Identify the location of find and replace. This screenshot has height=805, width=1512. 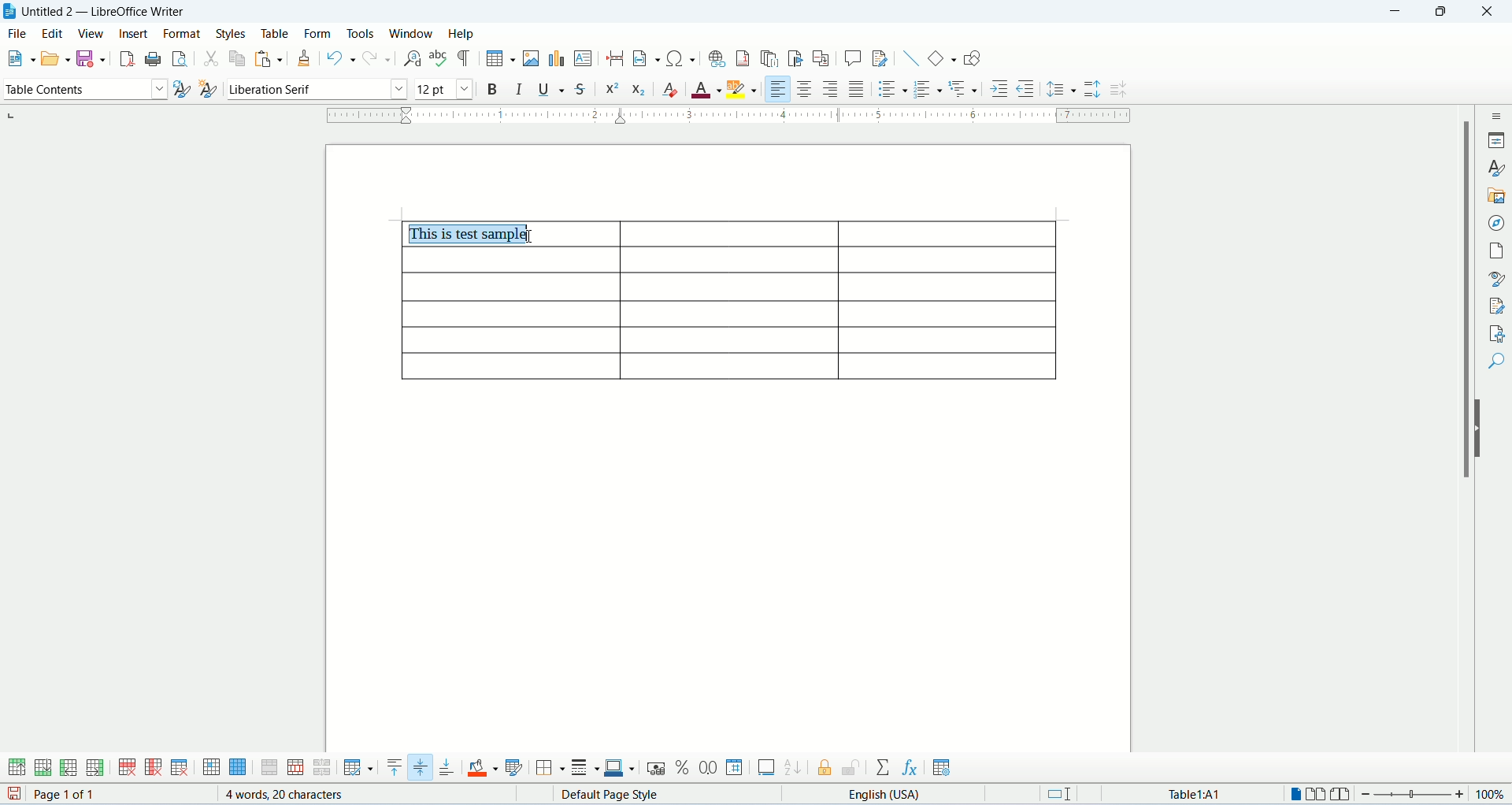
(413, 58).